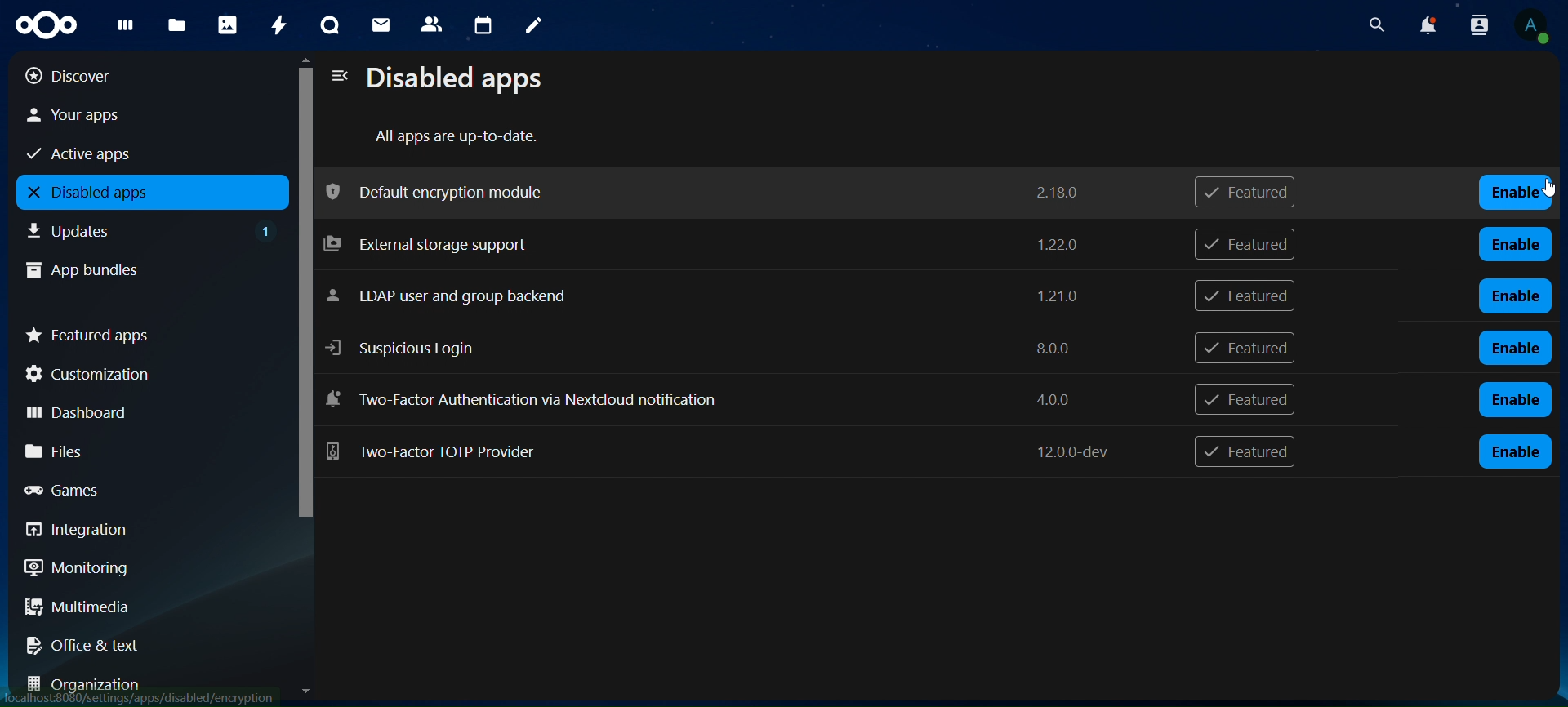  I want to click on notification, so click(1427, 26).